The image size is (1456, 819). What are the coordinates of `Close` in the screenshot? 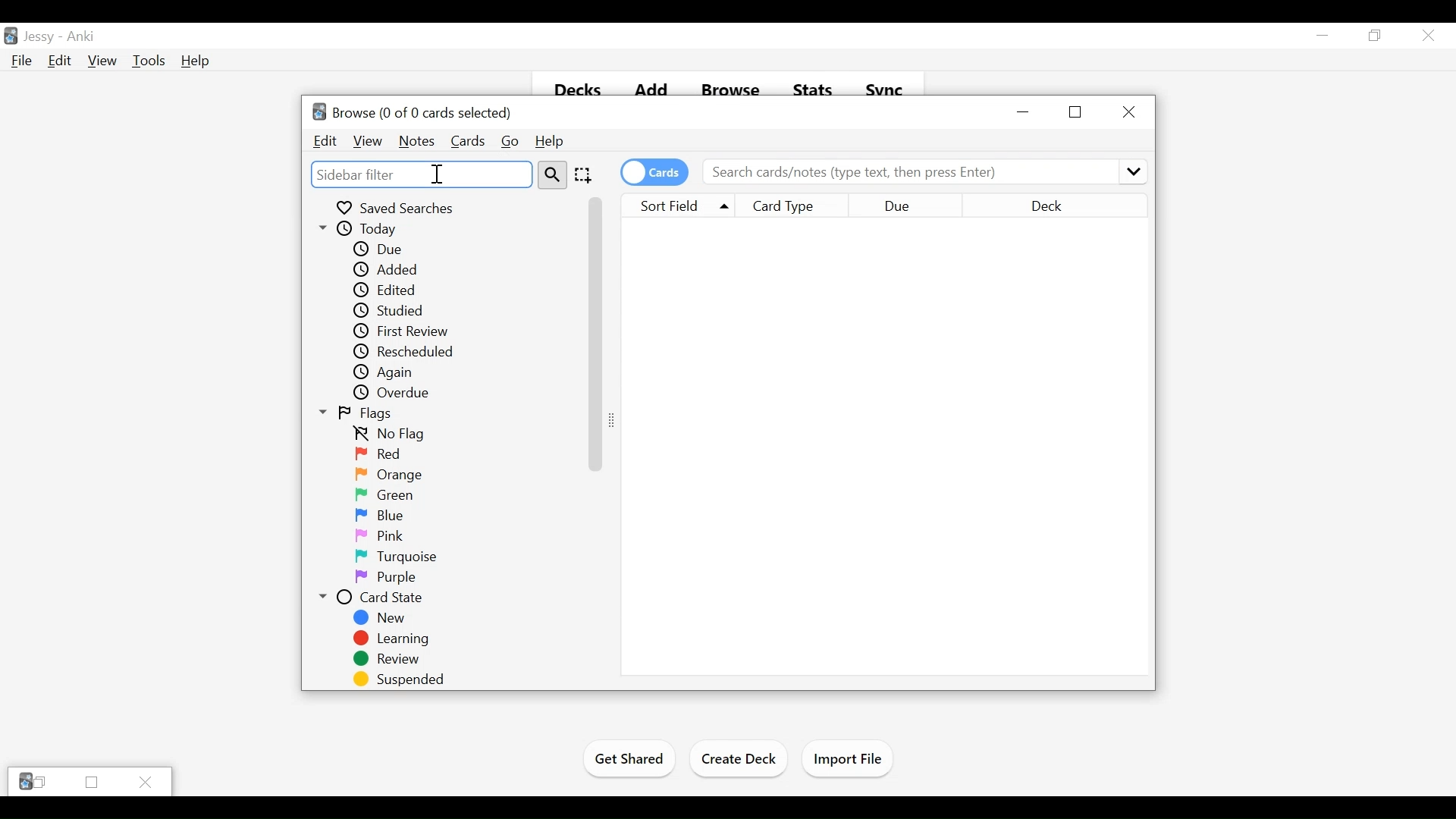 It's located at (1426, 36).